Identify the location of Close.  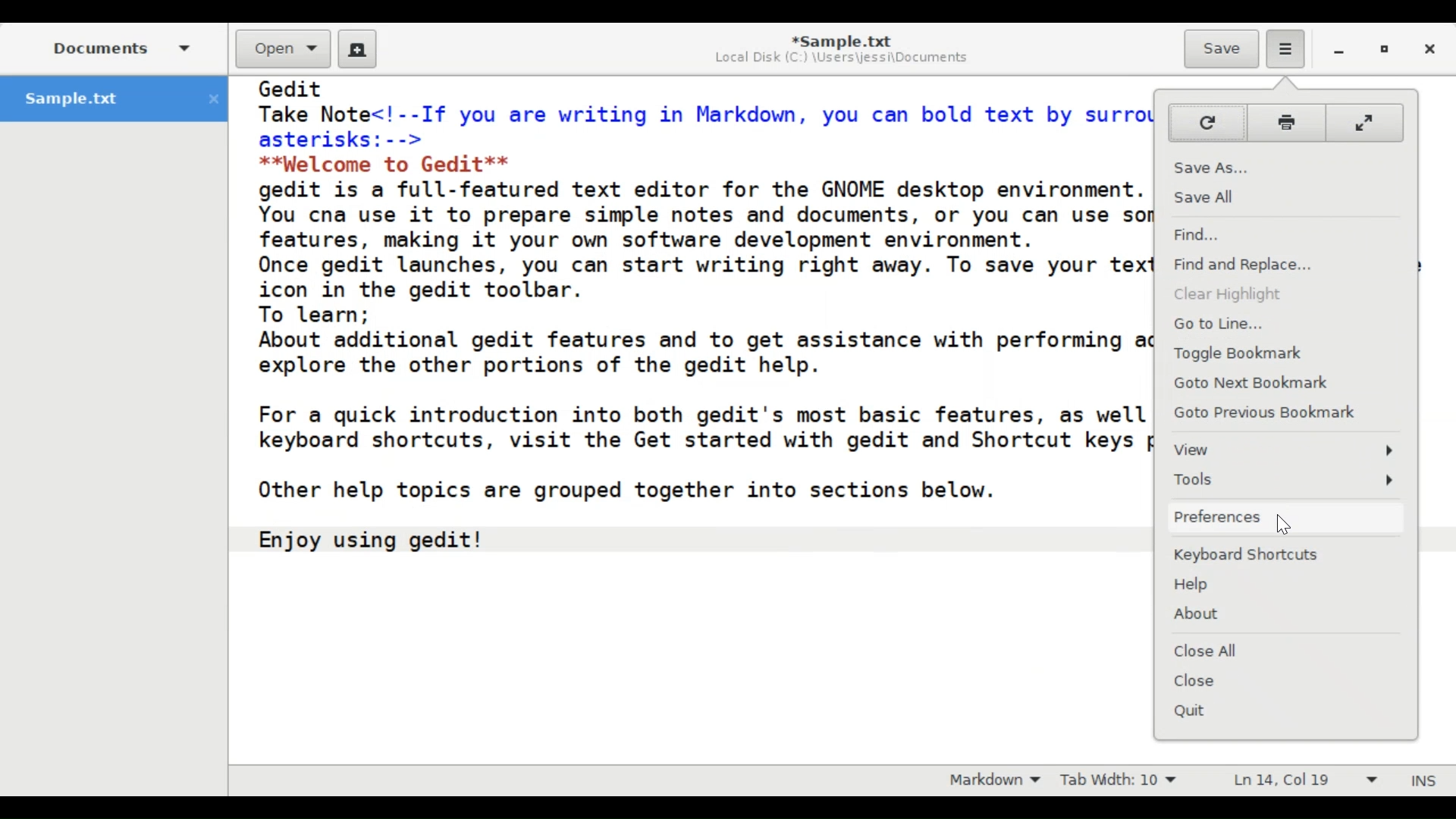
(1430, 50).